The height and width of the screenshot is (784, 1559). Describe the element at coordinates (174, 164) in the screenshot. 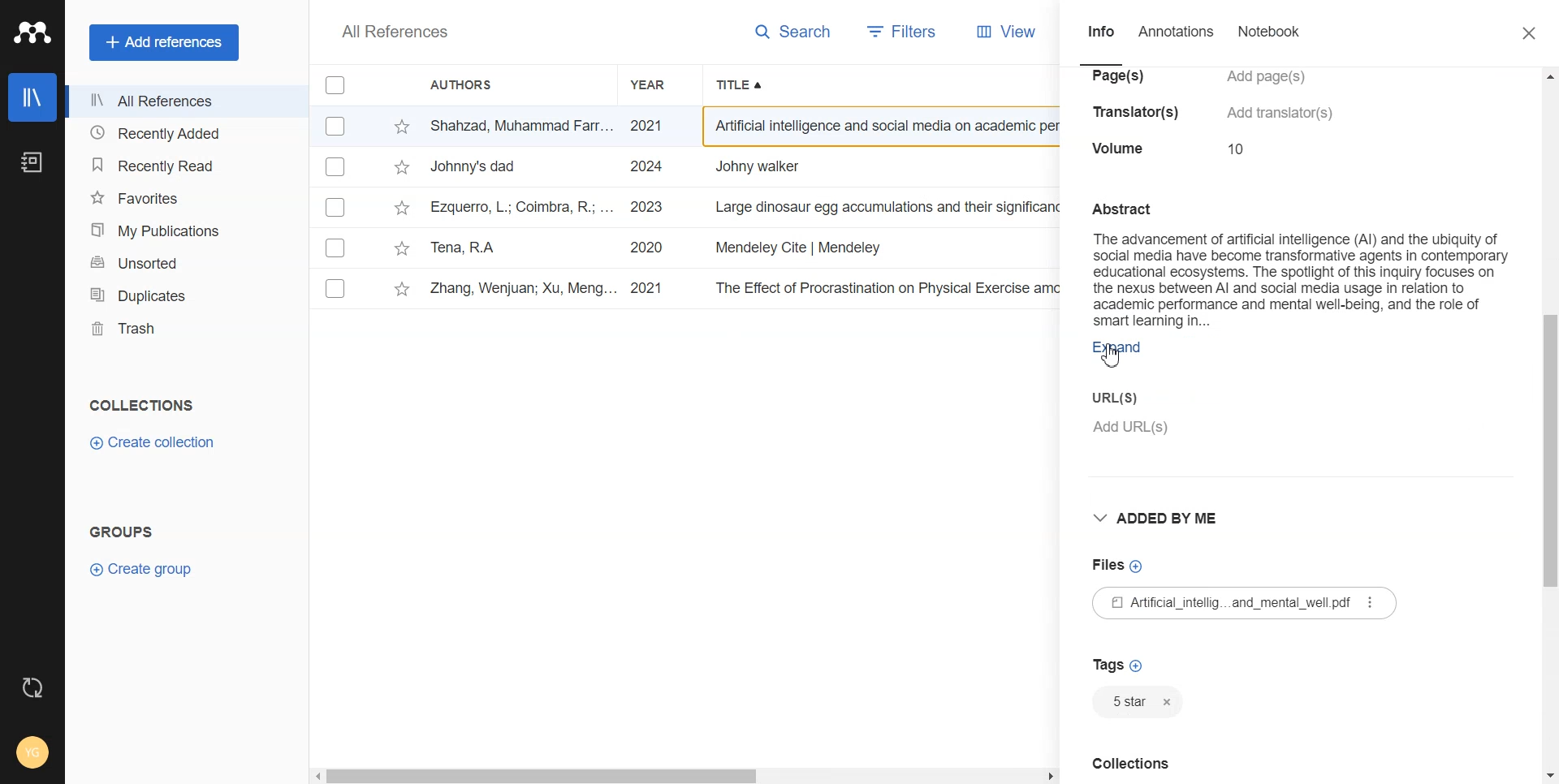

I see `Recently Read` at that location.